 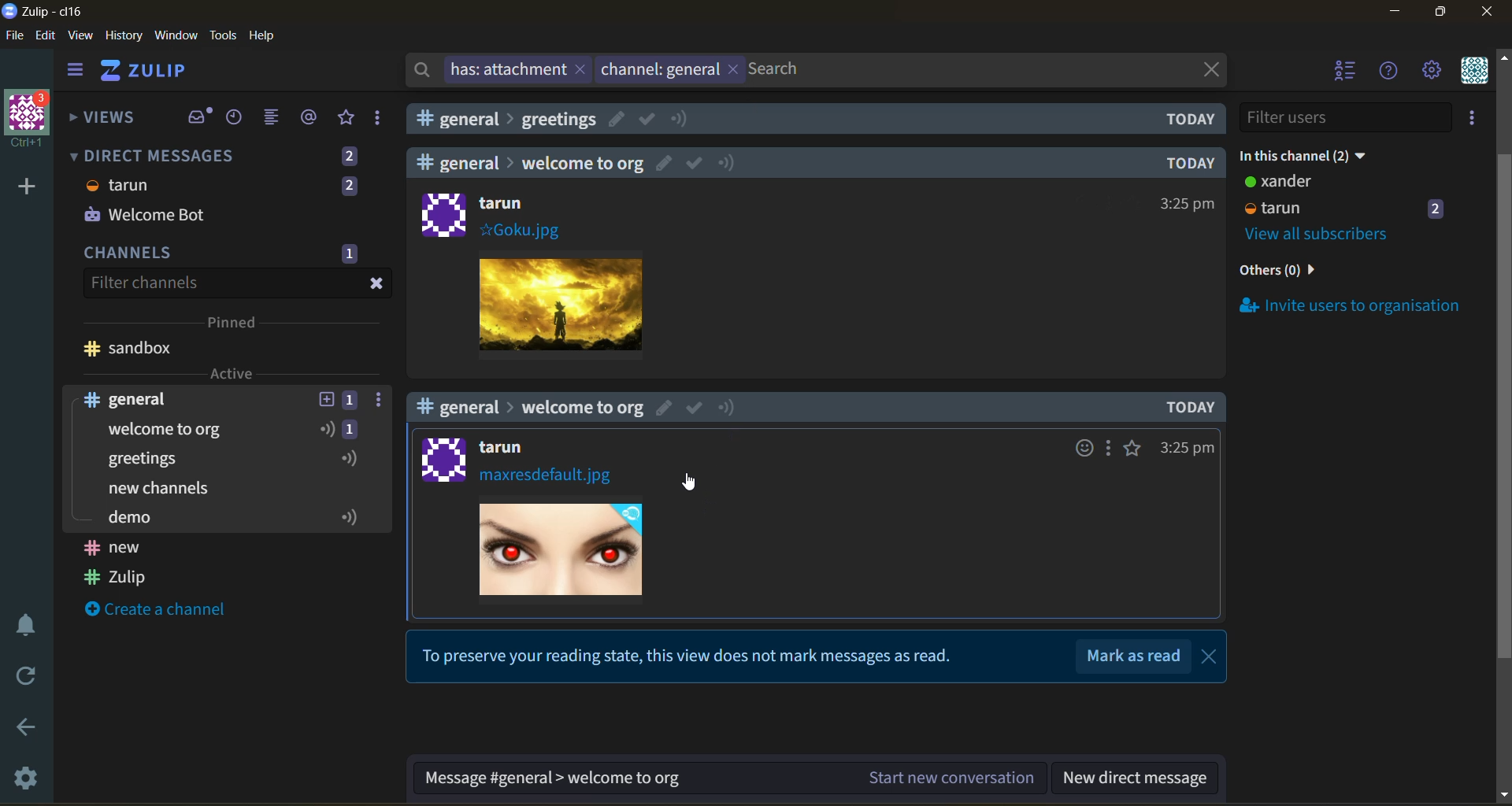 What do you see at coordinates (114, 546) in the screenshot?
I see `# new` at bounding box center [114, 546].